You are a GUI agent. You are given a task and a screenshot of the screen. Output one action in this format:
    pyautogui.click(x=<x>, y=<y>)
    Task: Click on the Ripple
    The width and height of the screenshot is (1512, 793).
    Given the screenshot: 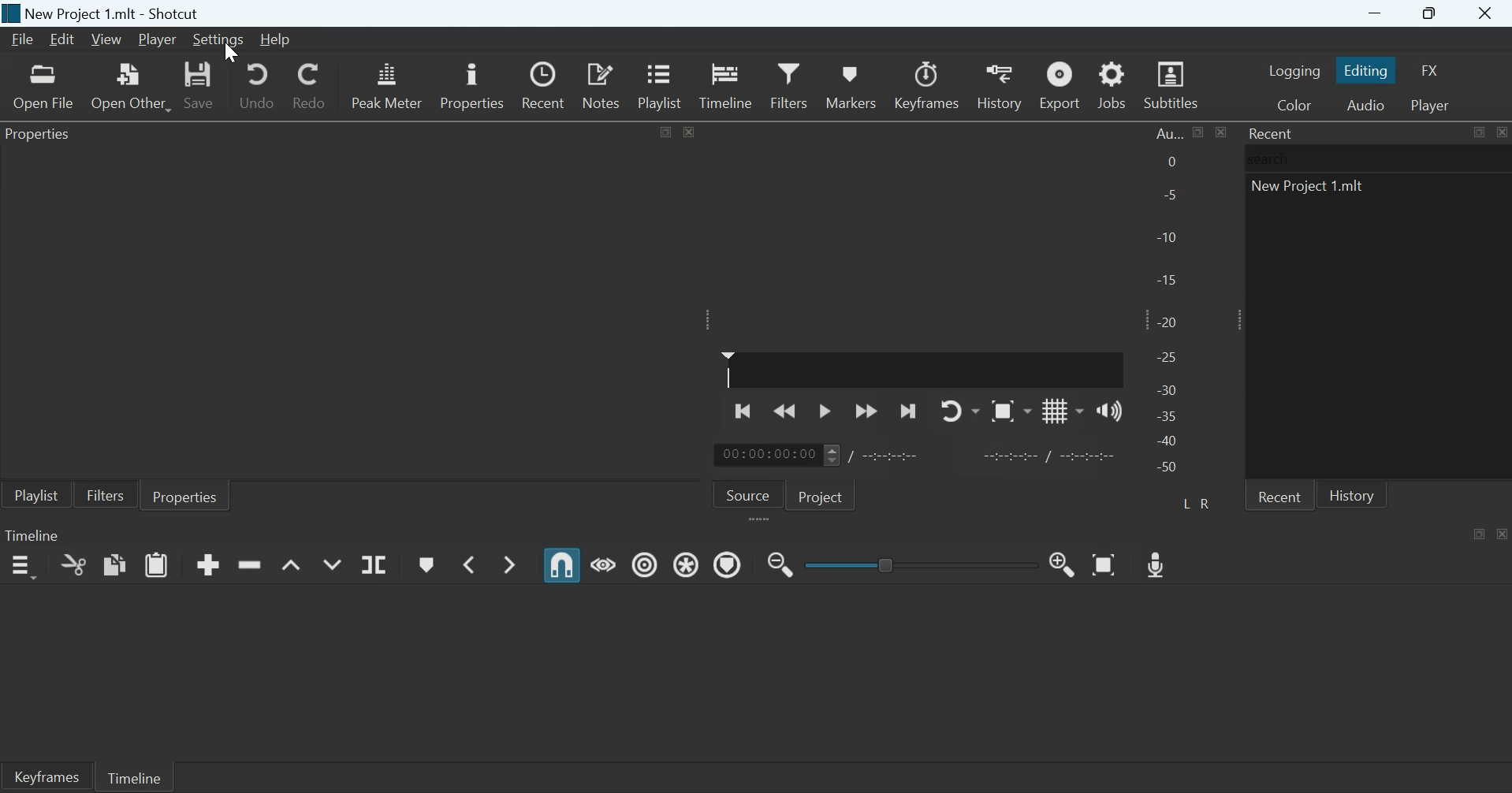 What is the action you would take?
    pyautogui.click(x=645, y=564)
    